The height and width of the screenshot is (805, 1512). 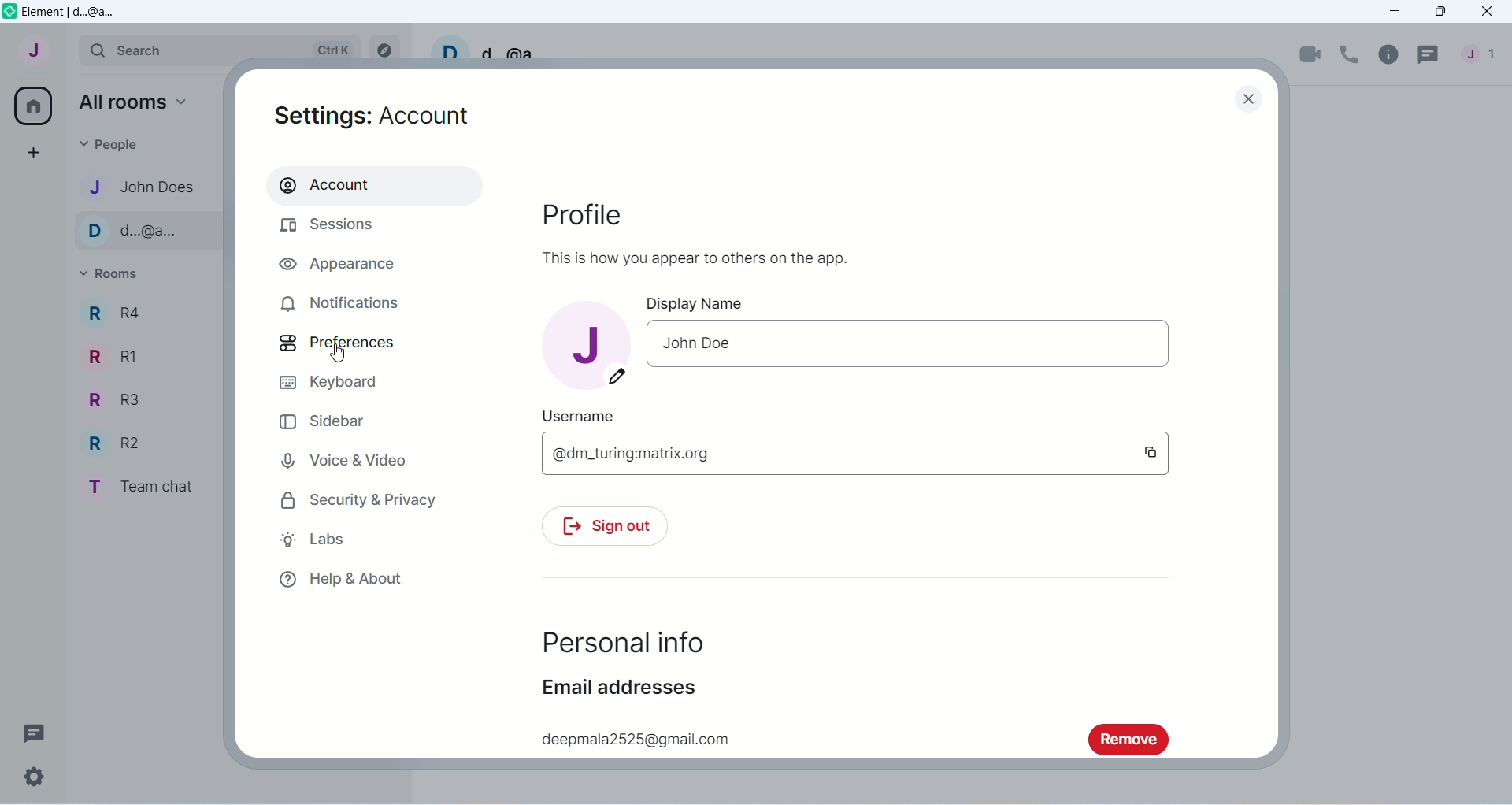 What do you see at coordinates (1241, 103) in the screenshot?
I see `Close` at bounding box center [1241, 103].